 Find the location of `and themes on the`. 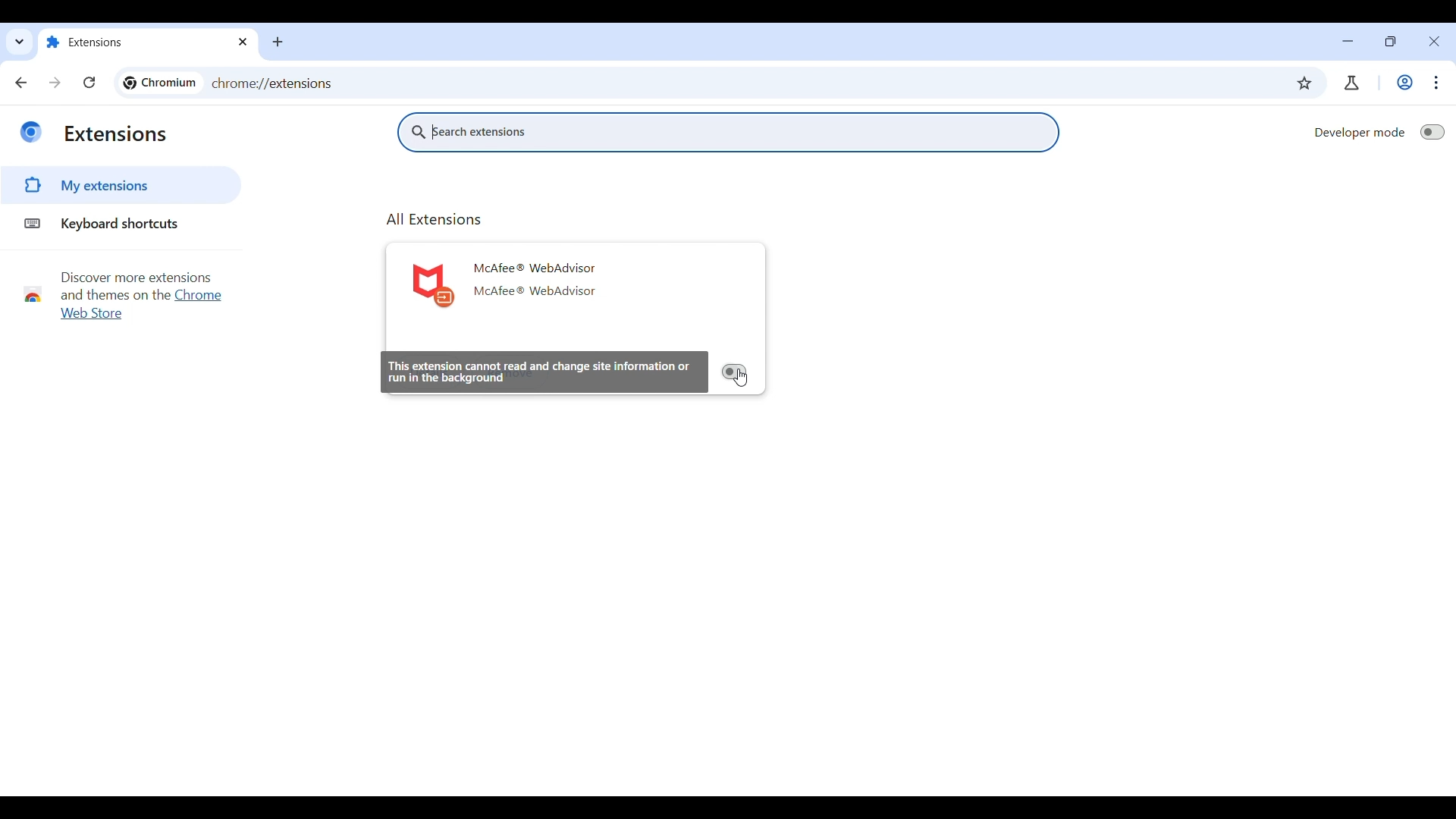

and themes on the is located at coordinates (112, 295).